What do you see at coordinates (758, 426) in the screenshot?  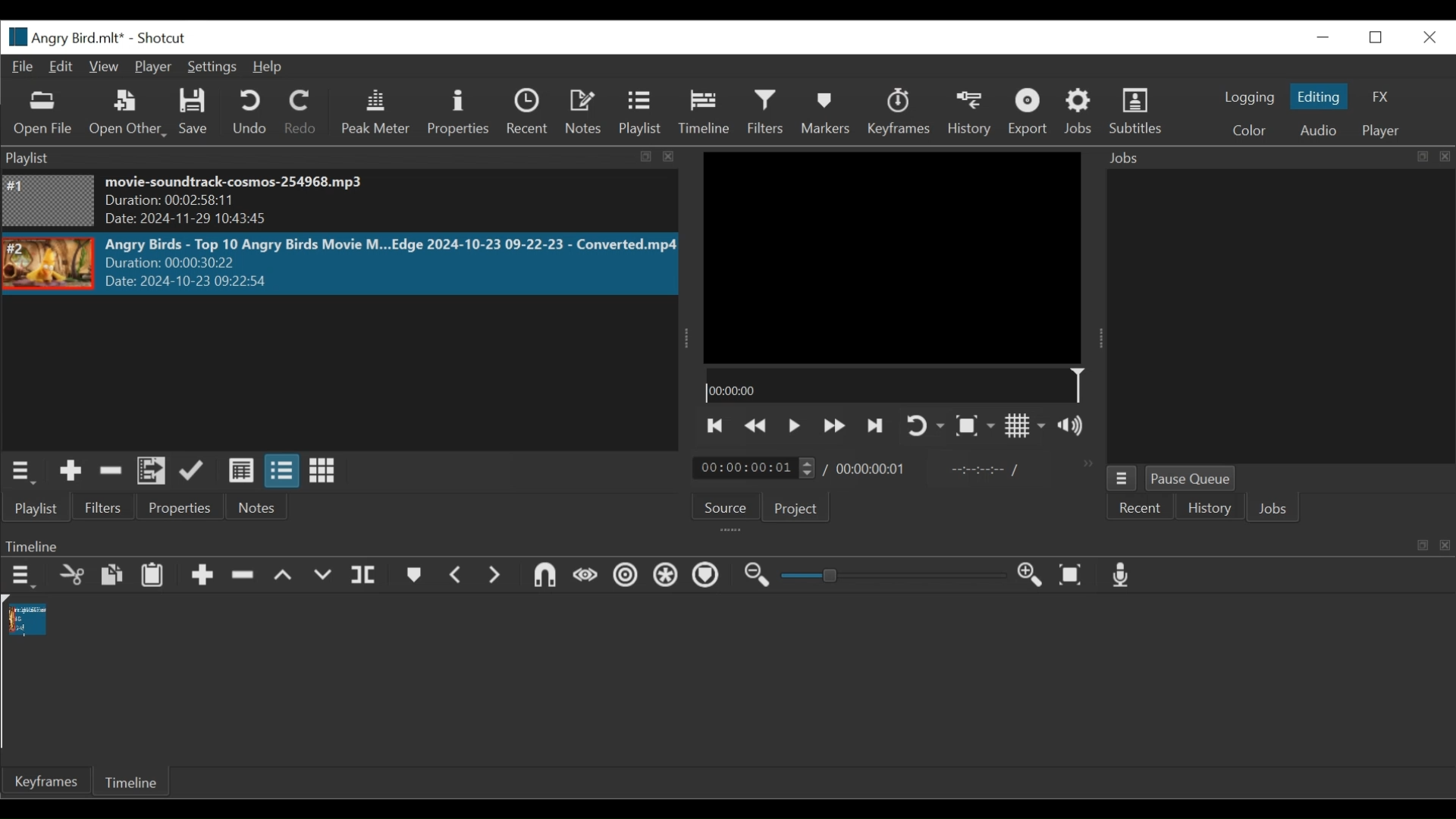 I see `Play quickly backward` at bounding box center [758, 426].